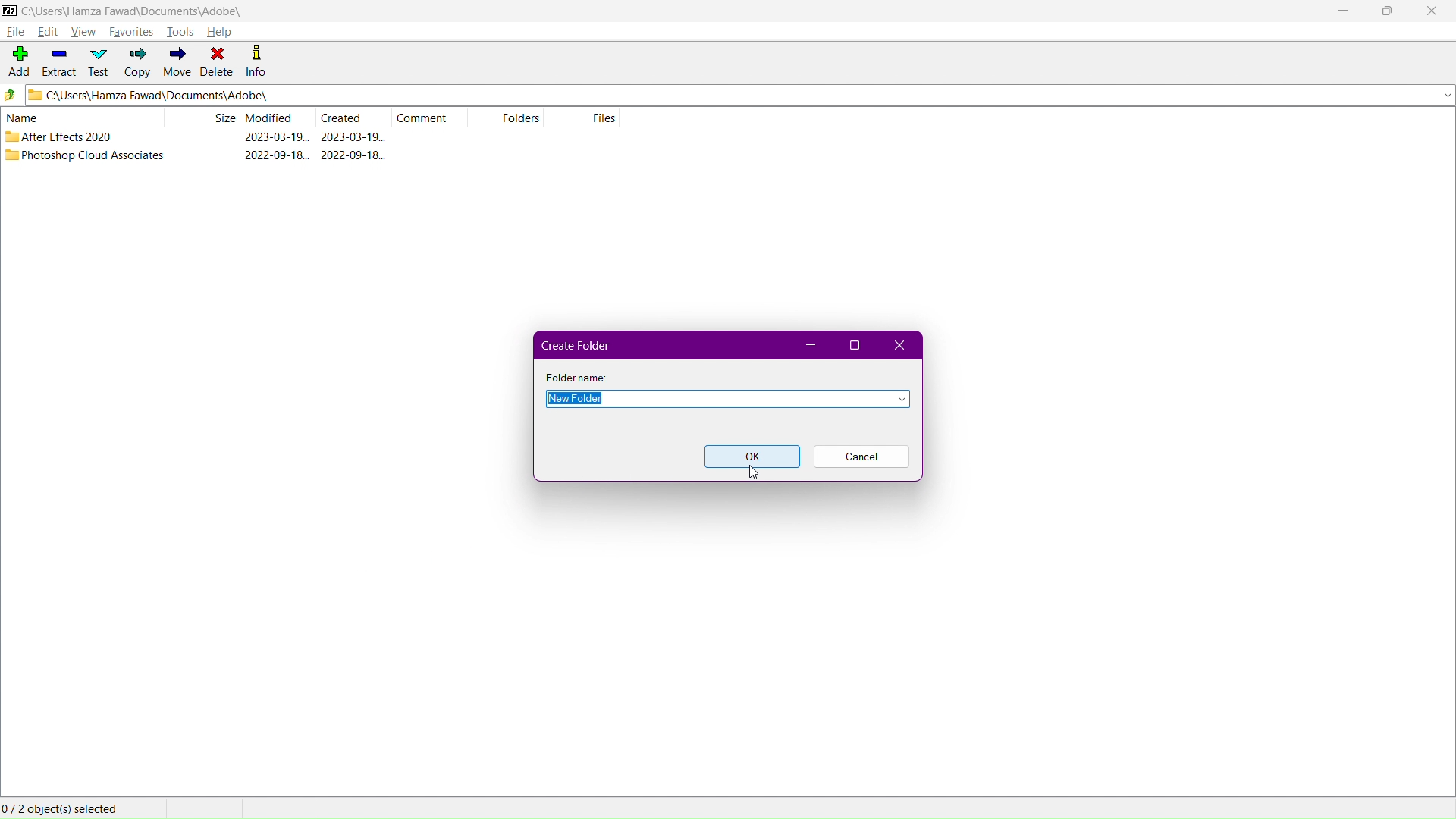 This screenshot has height=819, width=1456. I want to click on Add, so click(17, 59).